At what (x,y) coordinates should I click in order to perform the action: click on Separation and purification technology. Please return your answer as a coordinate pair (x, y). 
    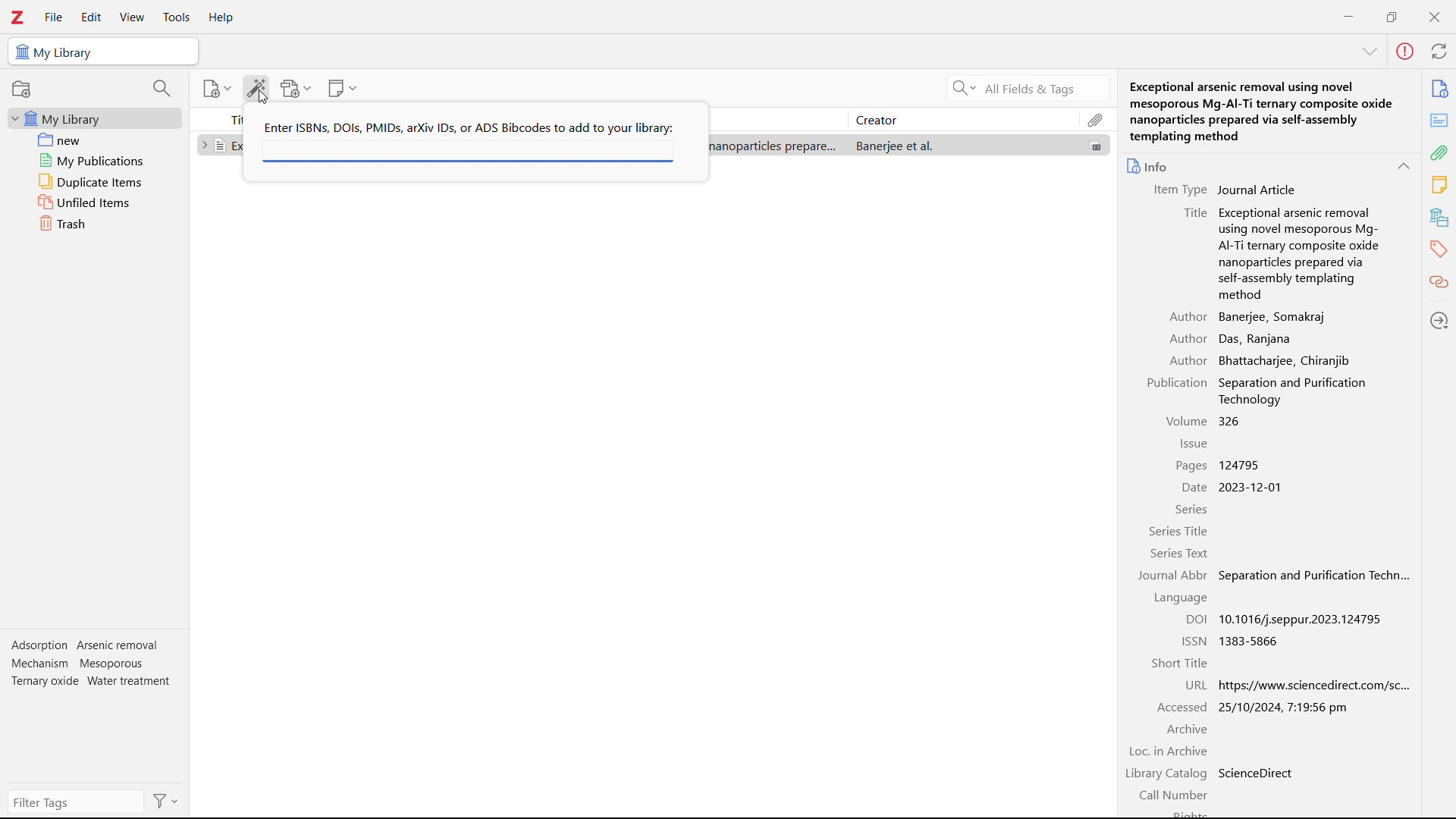
    Looking at the image, I should click on (1307, 391).